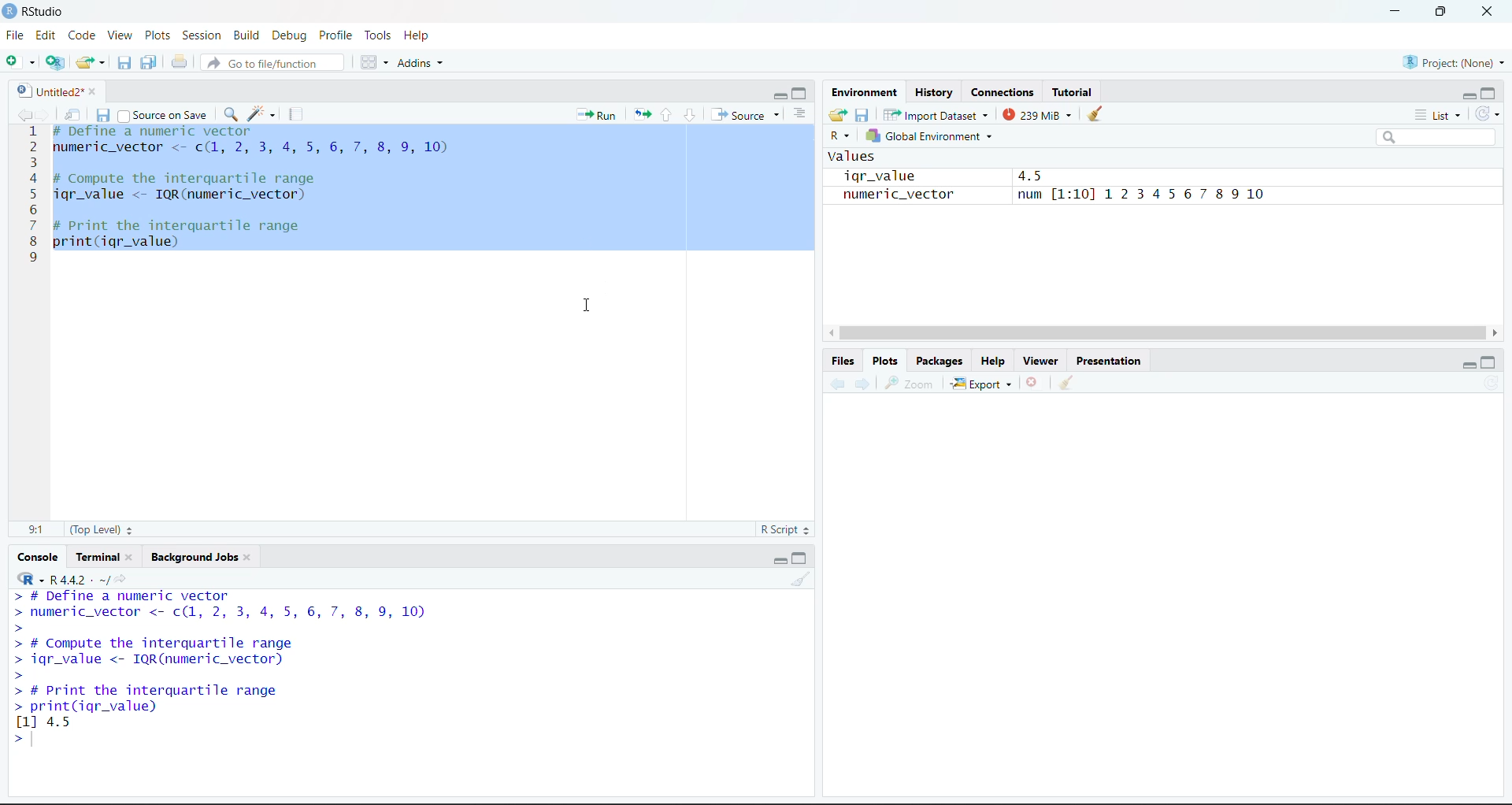  I want to click on Go forward to the next source location (Ctrl + F10), so click(45, 113).